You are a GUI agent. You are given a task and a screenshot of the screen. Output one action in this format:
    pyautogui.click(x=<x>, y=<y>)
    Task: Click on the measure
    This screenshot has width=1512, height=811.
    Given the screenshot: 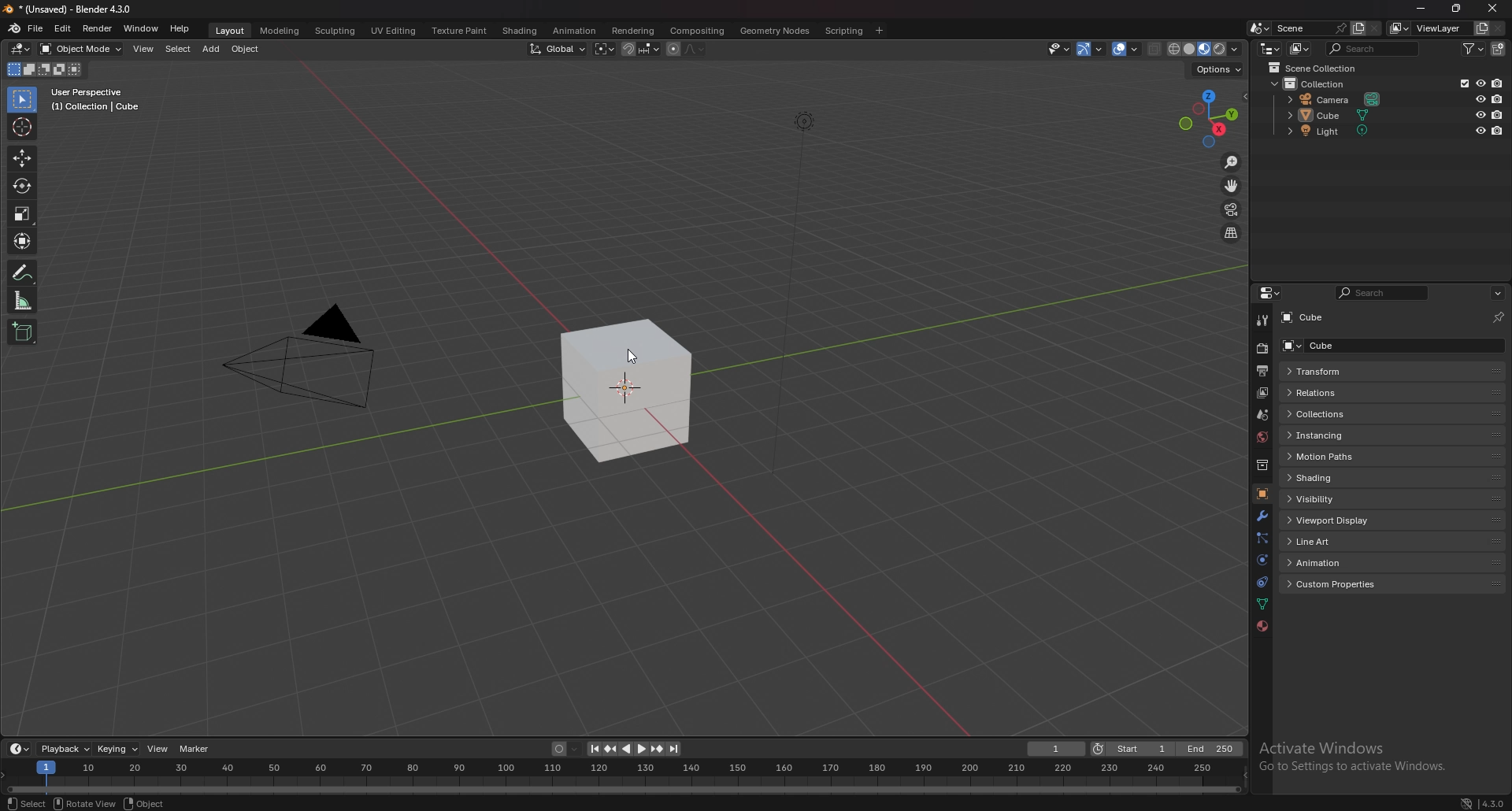 What is the action you would take?
    pyautogui.click(x=23, y=300)
    